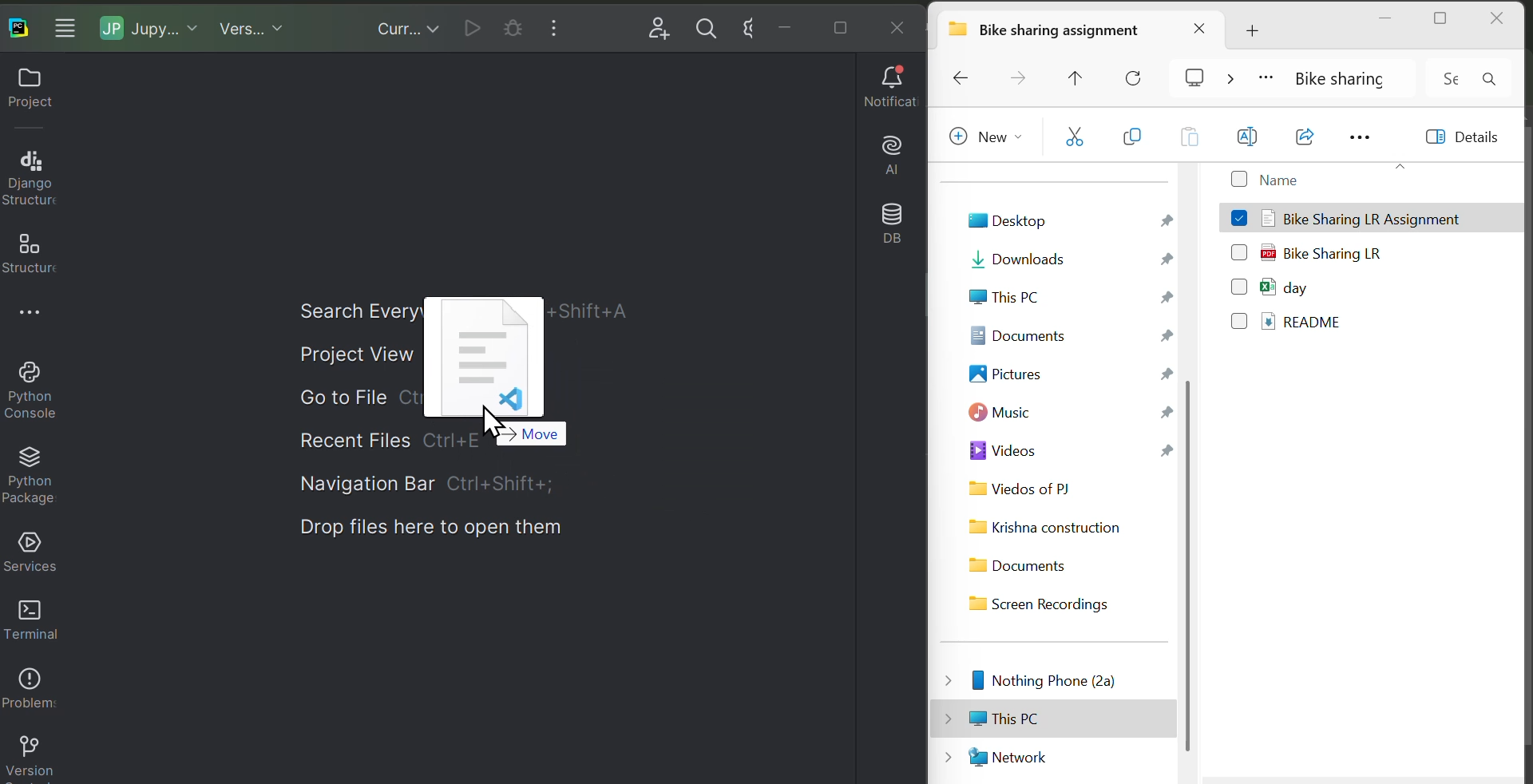 Image resolution: width=1533 pixels, height=784 pixels. What do you see at coordinates (1143, 76) in the screenshot?
I see `Reload` at bounding box center [1143, 76].